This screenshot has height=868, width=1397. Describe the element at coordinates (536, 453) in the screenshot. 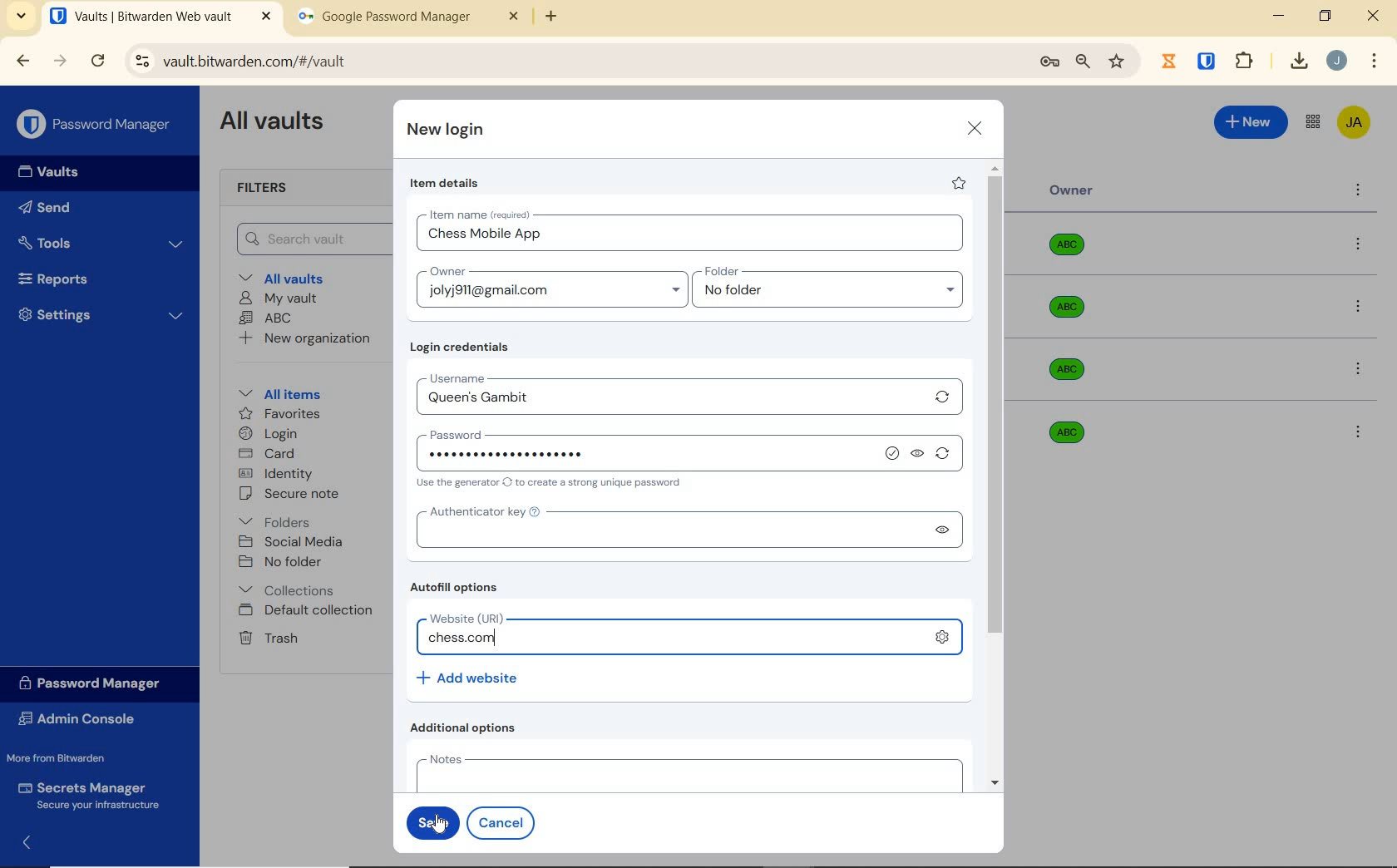

I see `password added` at that location.